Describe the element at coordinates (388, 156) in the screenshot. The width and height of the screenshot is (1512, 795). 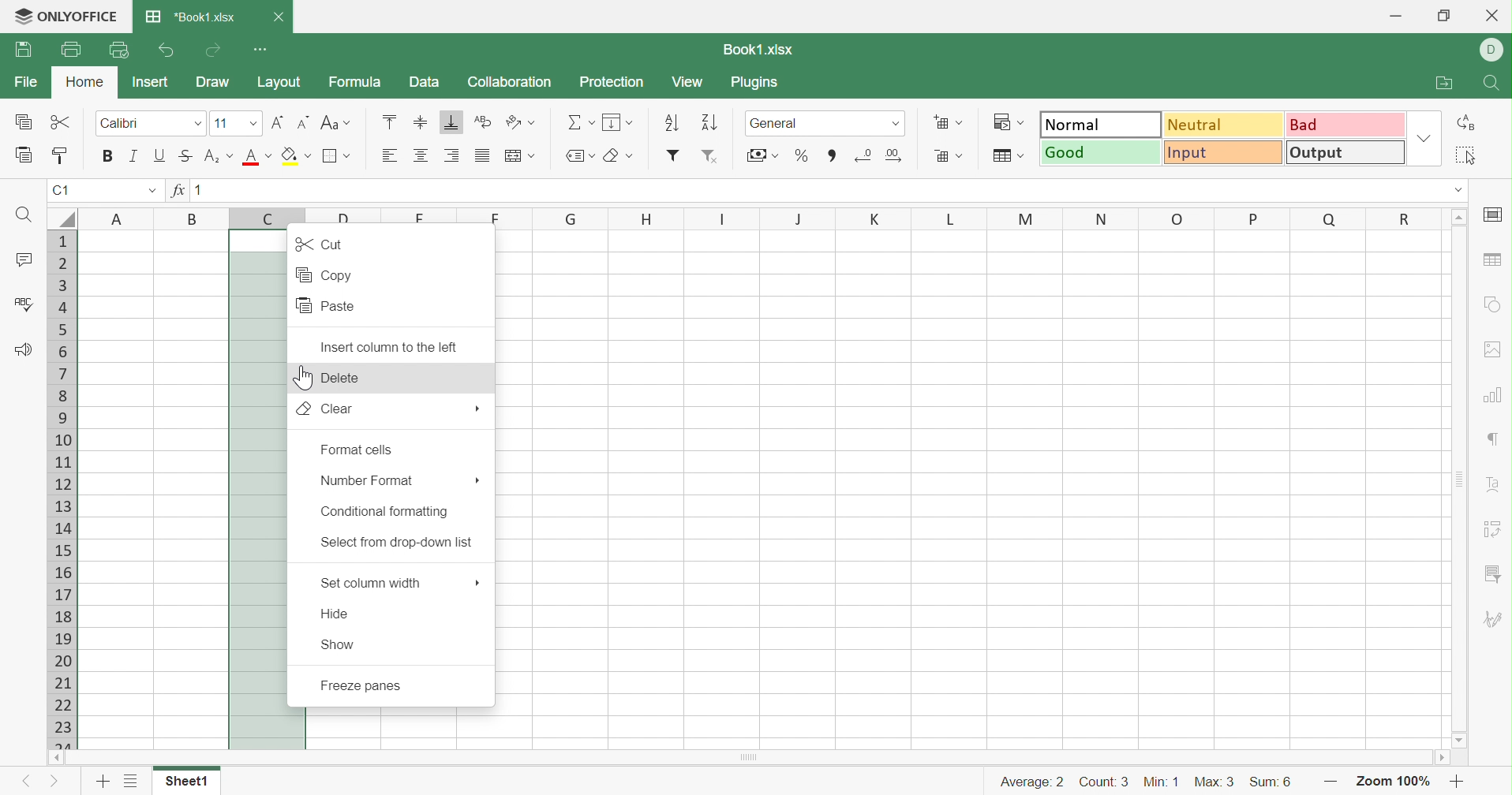
I see `Align Left` at that location.